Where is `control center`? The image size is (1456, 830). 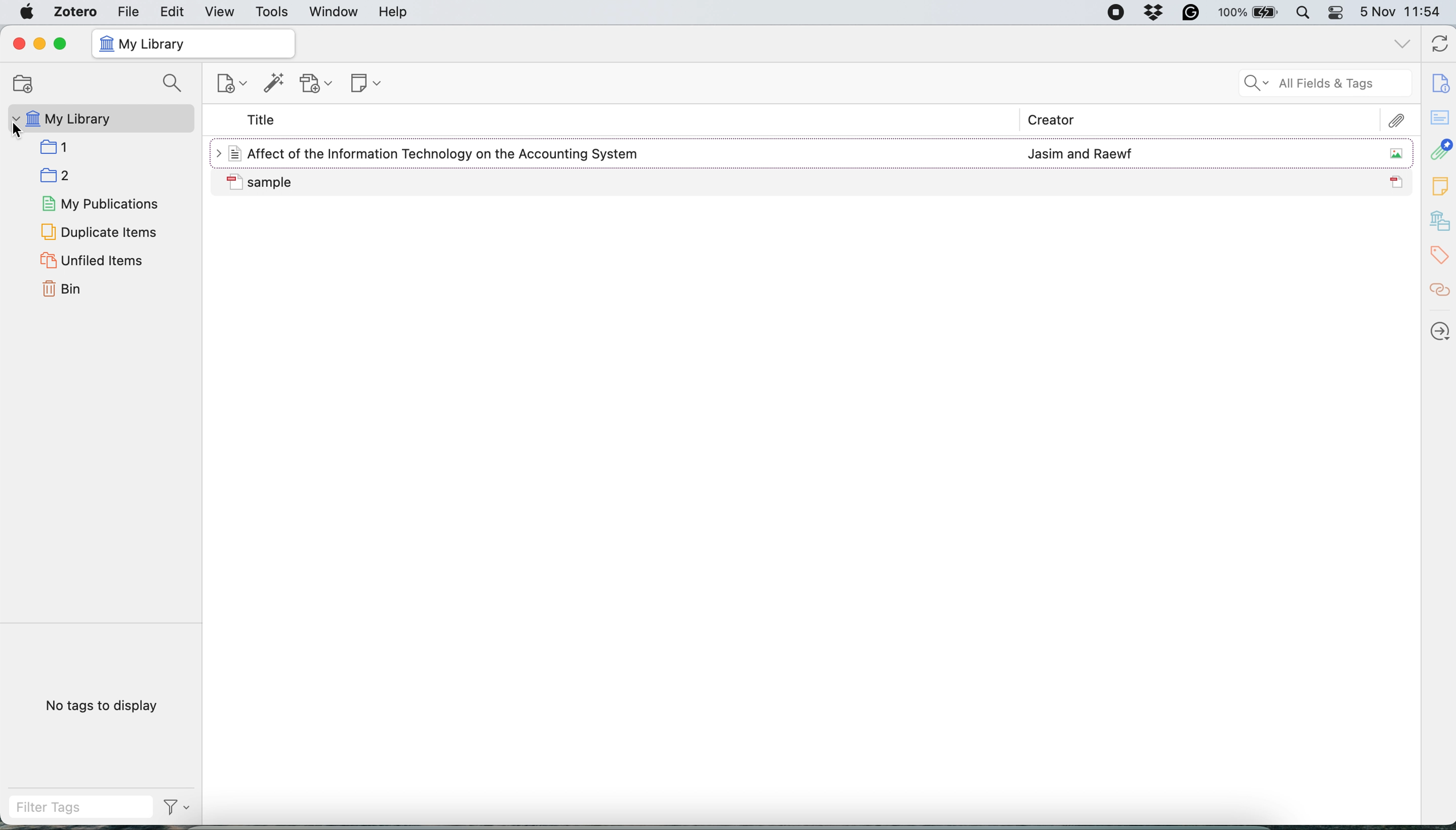 control center is located at coordinates (1339, 16).